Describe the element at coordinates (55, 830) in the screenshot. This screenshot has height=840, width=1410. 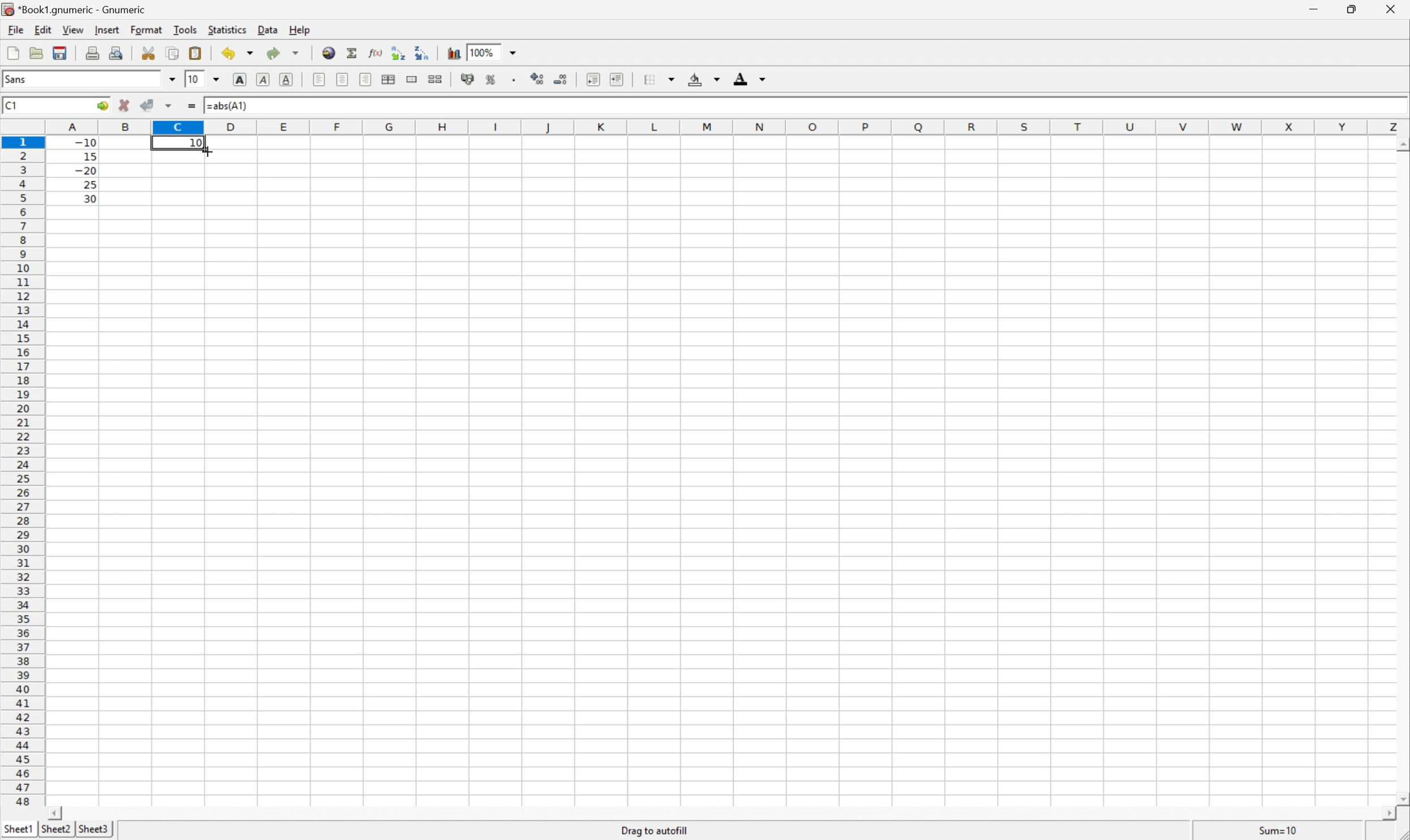
I see `sheet2` at that location.